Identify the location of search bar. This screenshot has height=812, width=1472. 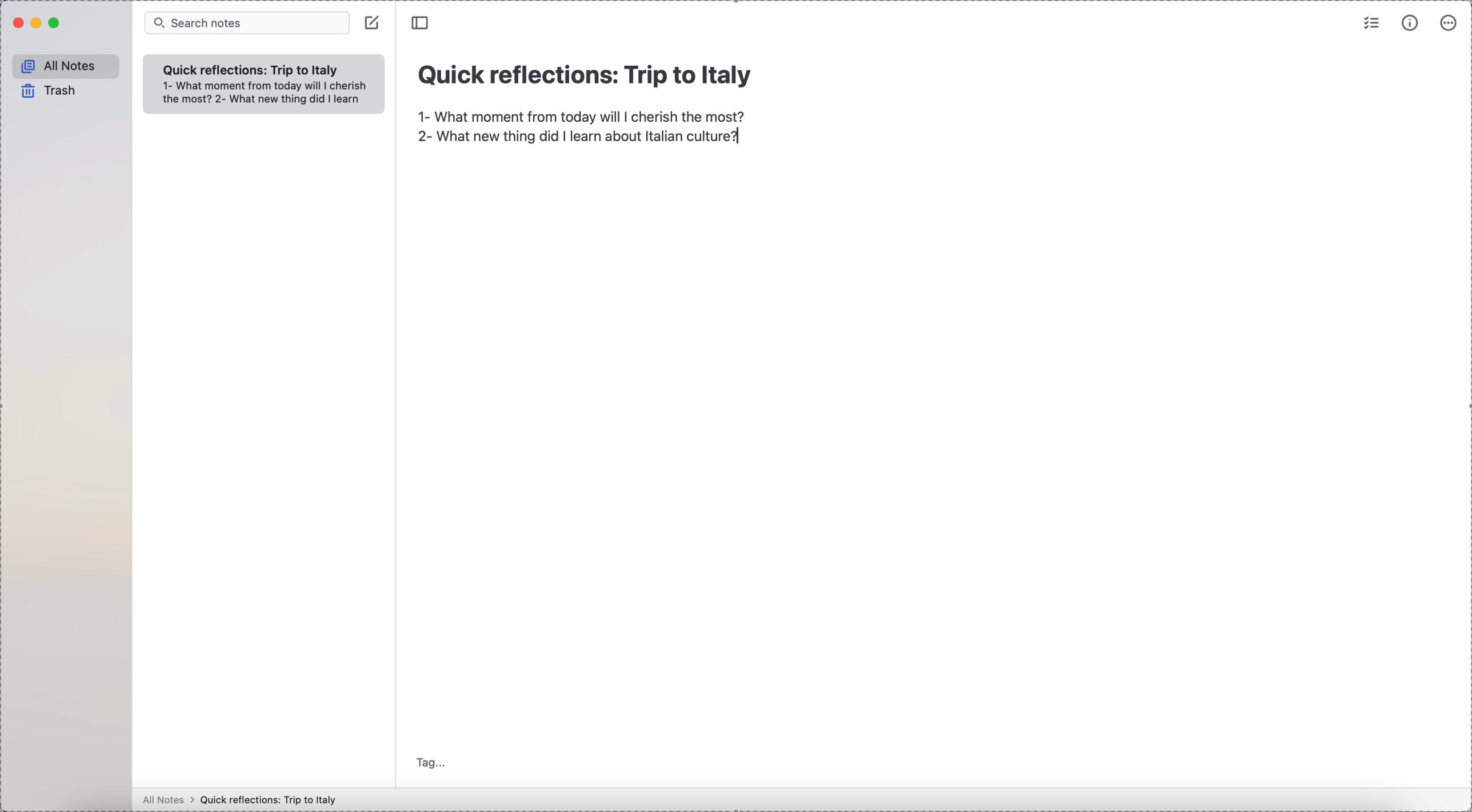
(247, 22).